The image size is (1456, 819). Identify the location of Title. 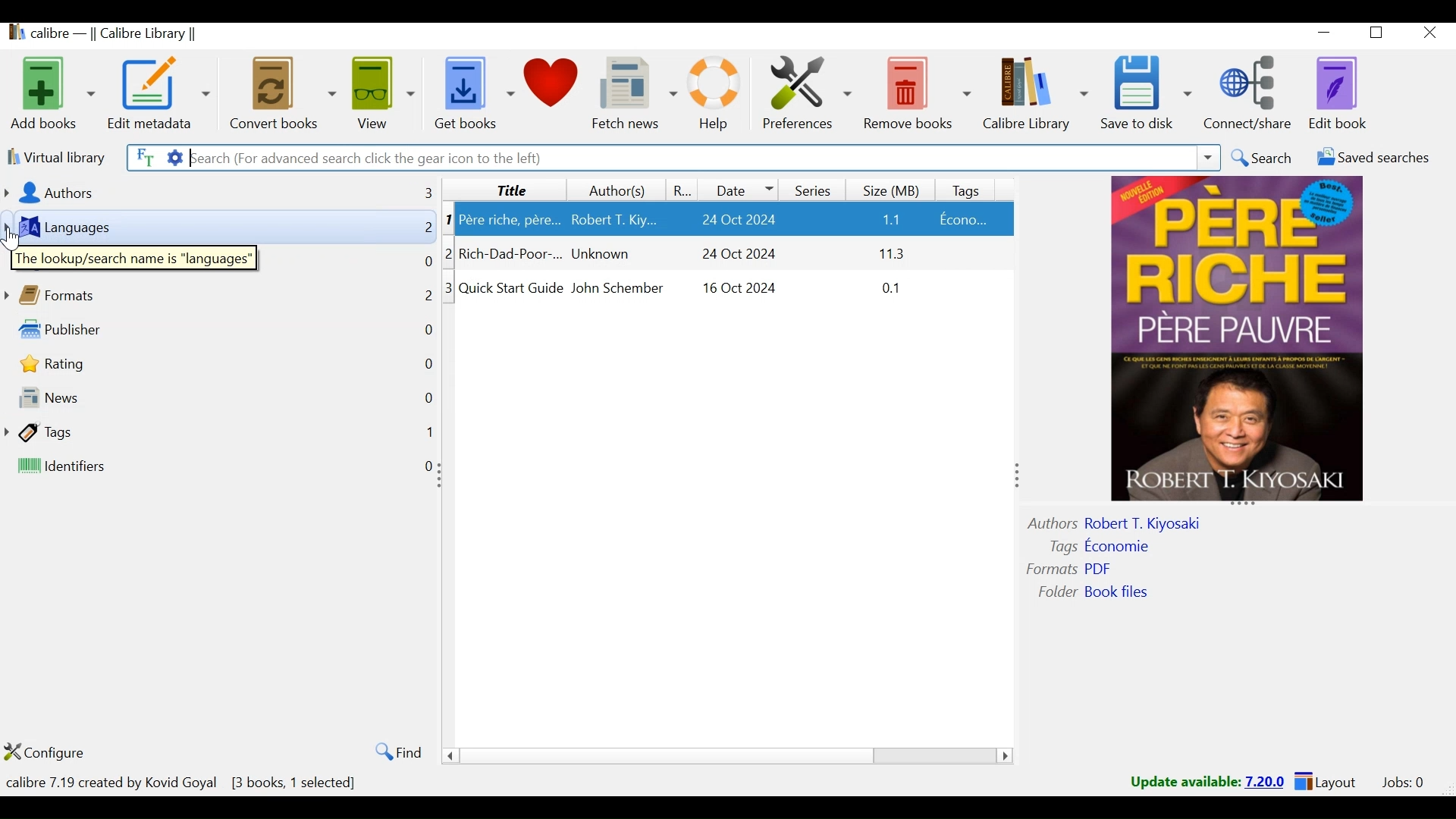
(503, 189).